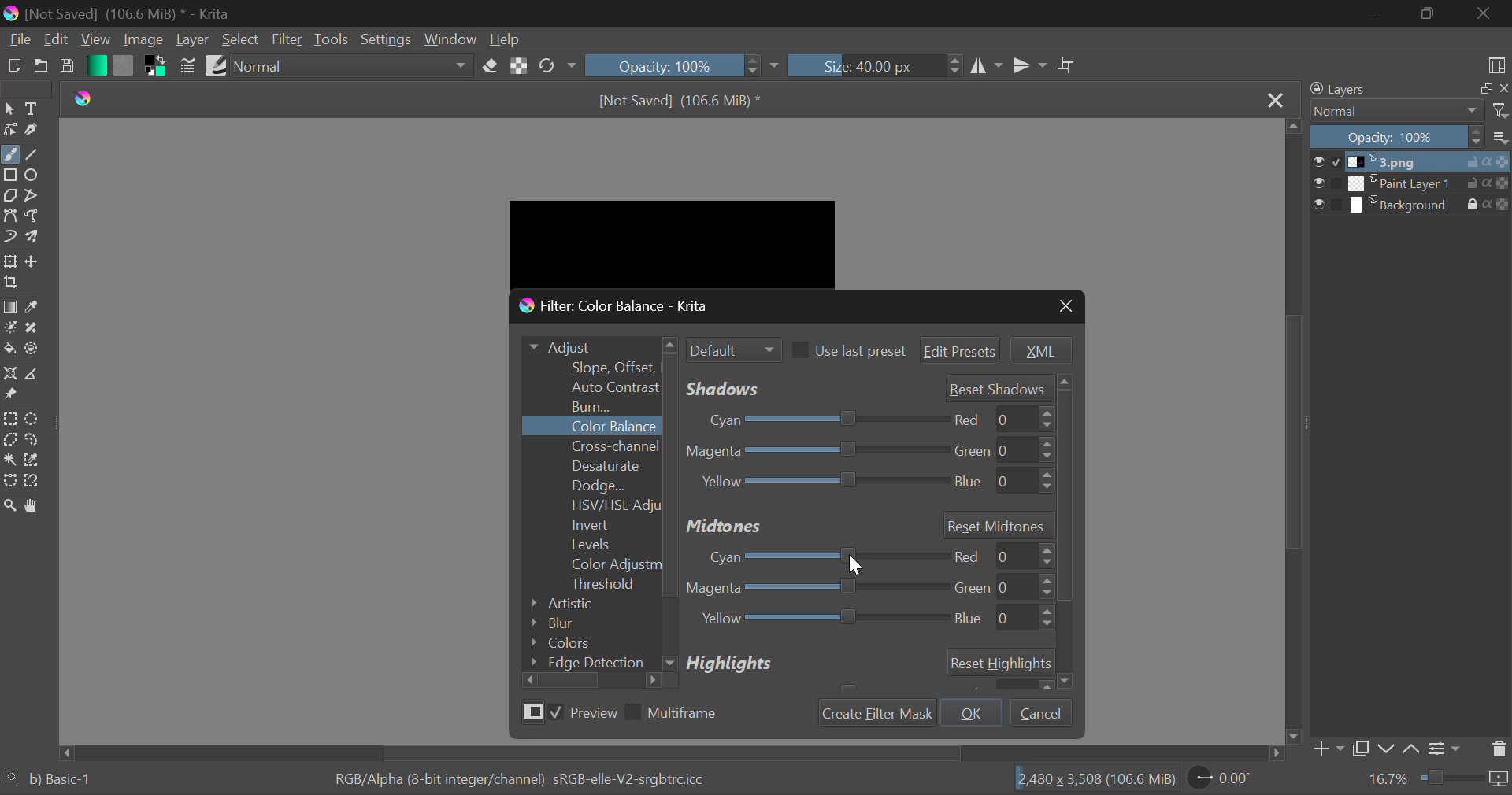  What do you see at coordinates (1225, 780) in the screenshot?
I see `0.00` at bounding box center [1225, 780].